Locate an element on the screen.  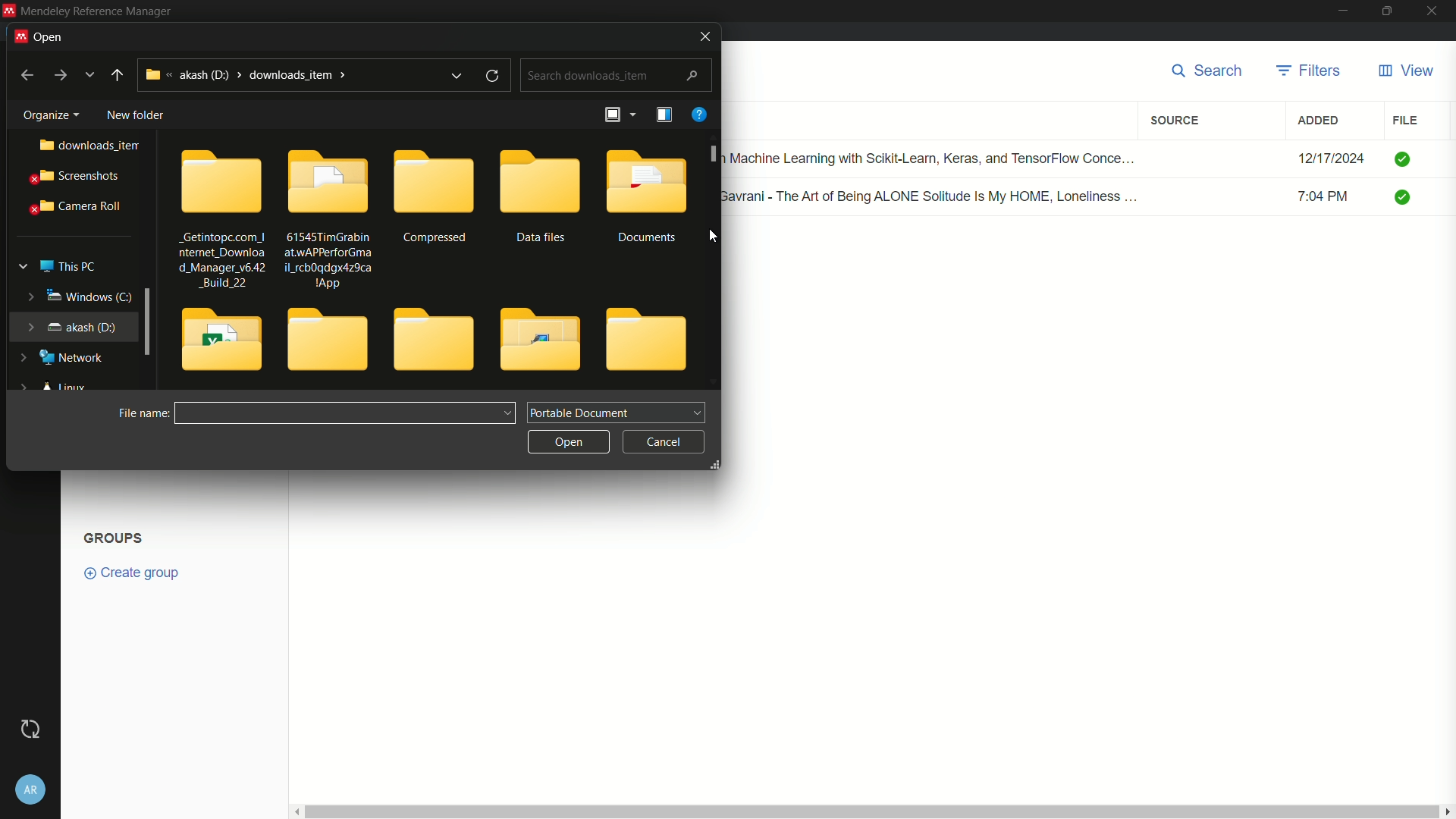
refresh is located at coordinates (494, 76).